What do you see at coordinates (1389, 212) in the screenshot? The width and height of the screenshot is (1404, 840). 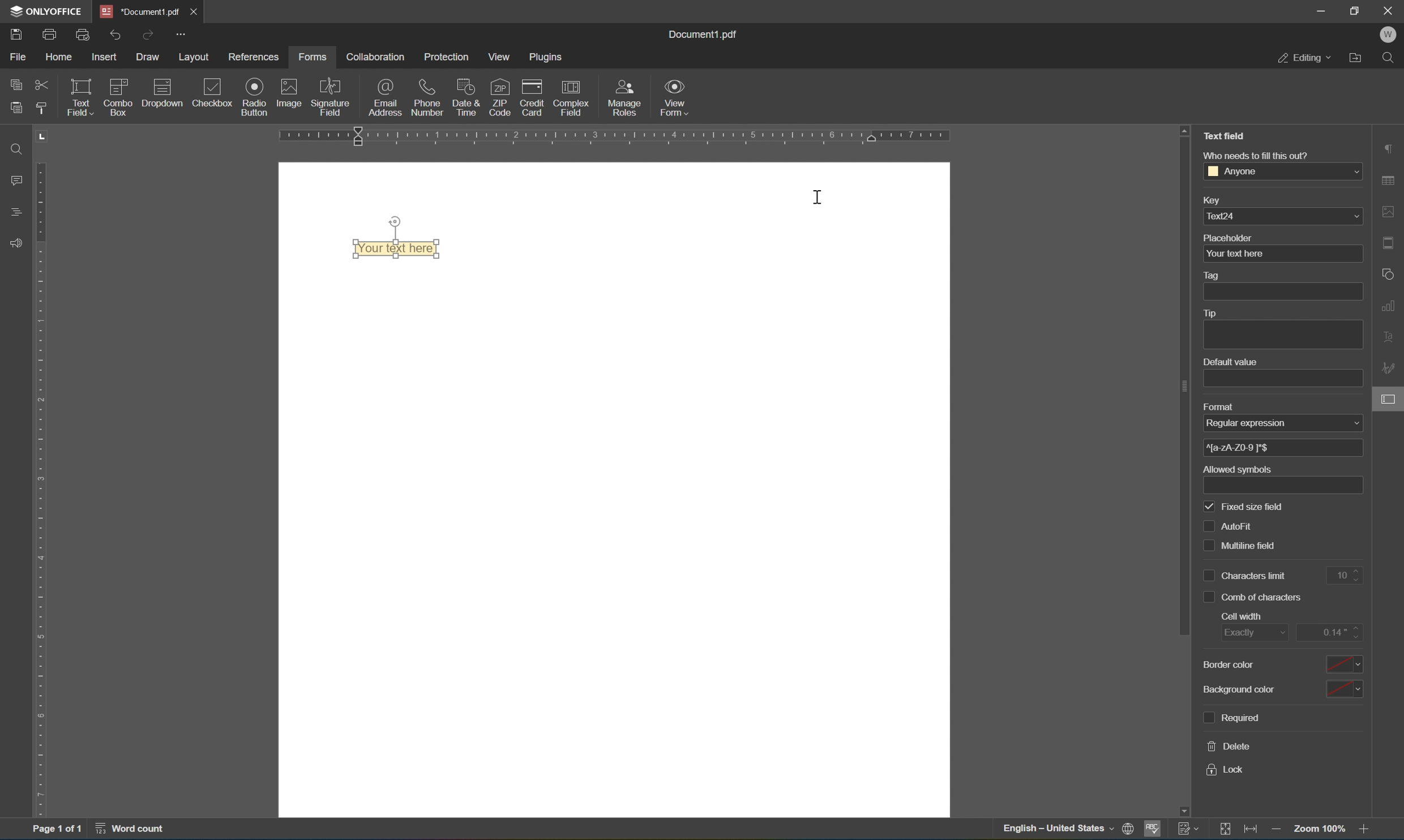 I see `image settings` at bounding box center [1389, 212].